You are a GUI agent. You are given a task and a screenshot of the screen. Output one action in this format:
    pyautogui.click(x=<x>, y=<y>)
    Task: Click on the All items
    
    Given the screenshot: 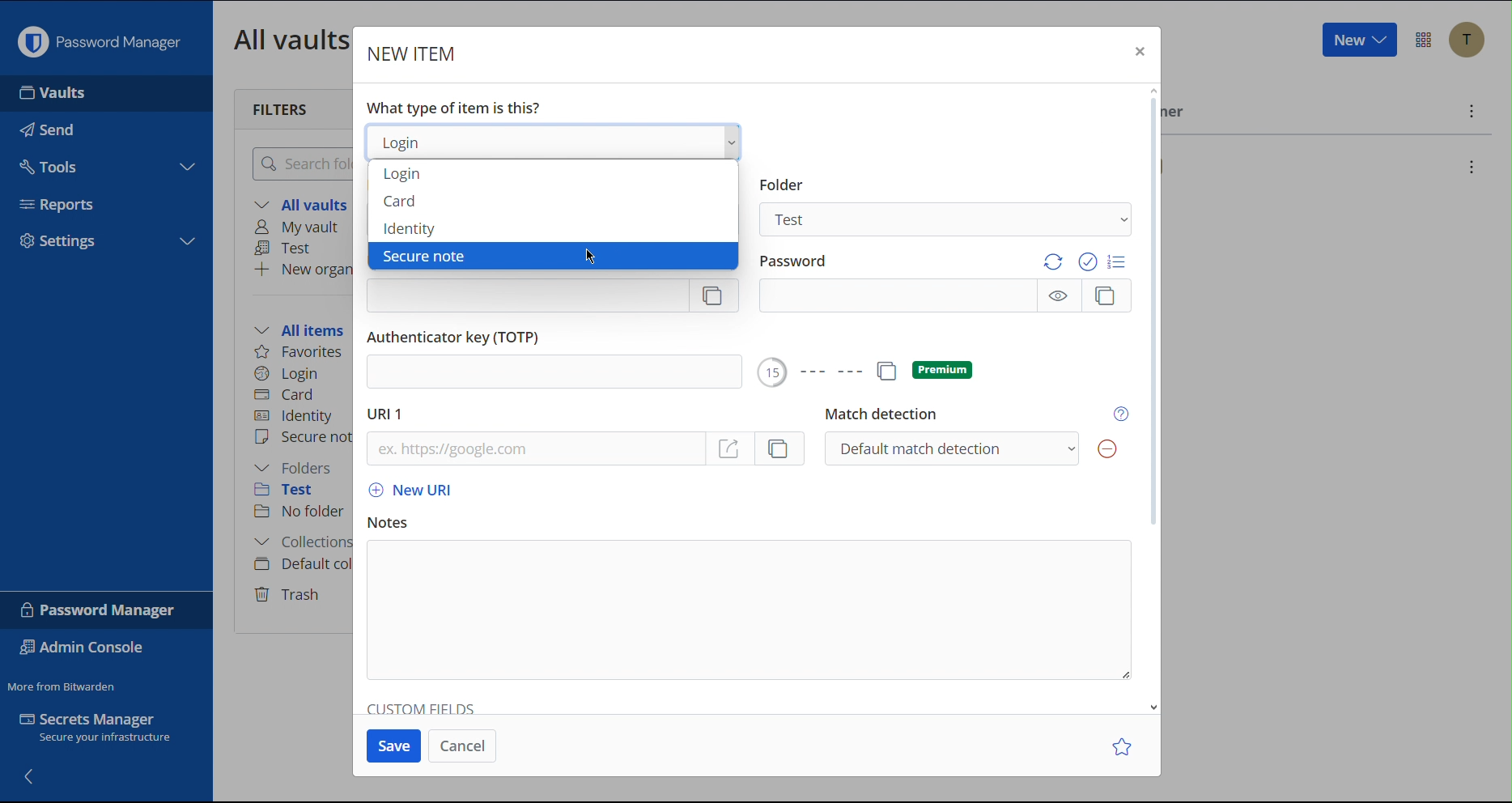 What is the action you would take?
    pyautogui.click(x=304, y=328)
    